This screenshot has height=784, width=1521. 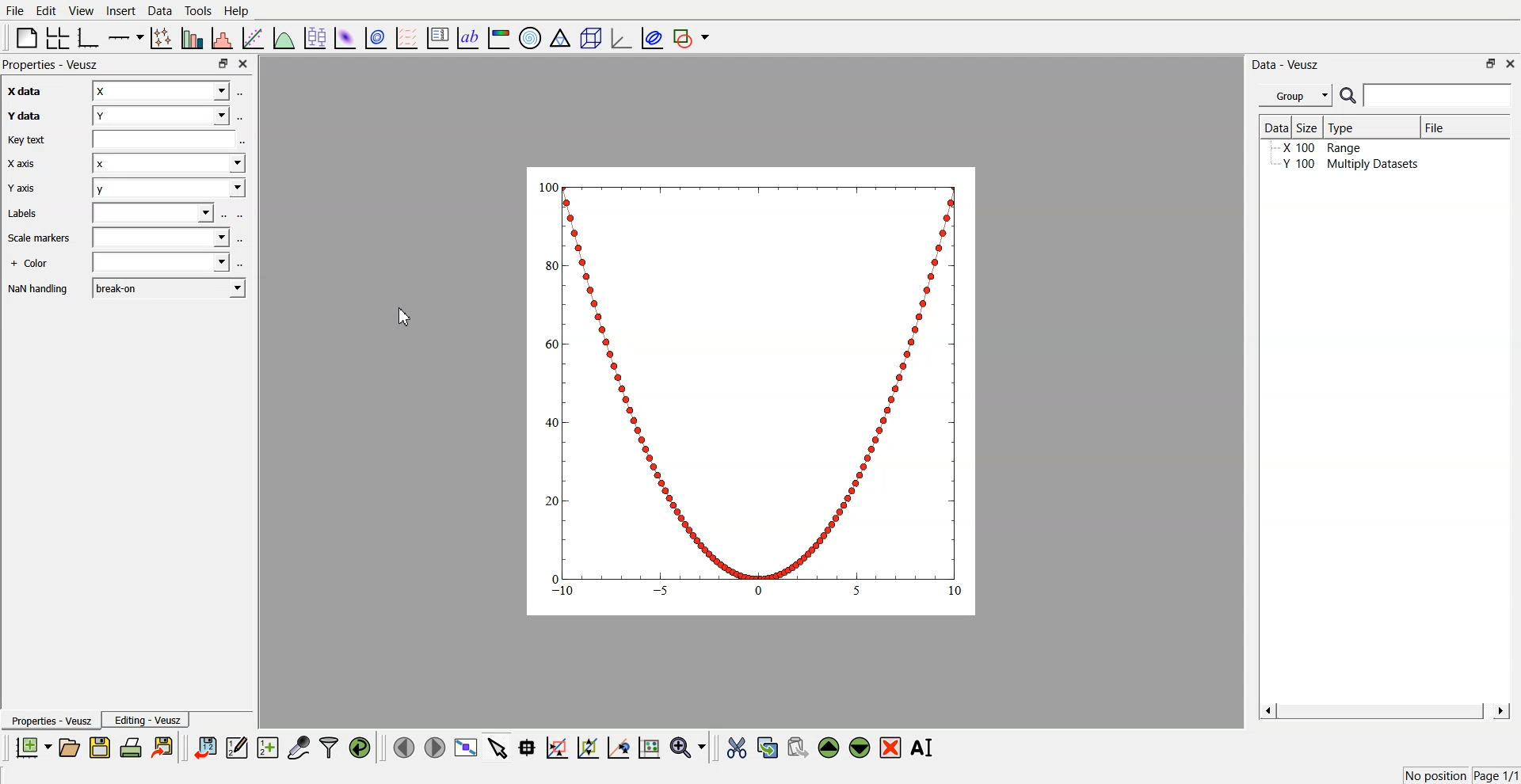 What do you see at coordinates (651, 39) in the screenshot?
I see `plot covariance ellipses` at bounding box center [651, 39].